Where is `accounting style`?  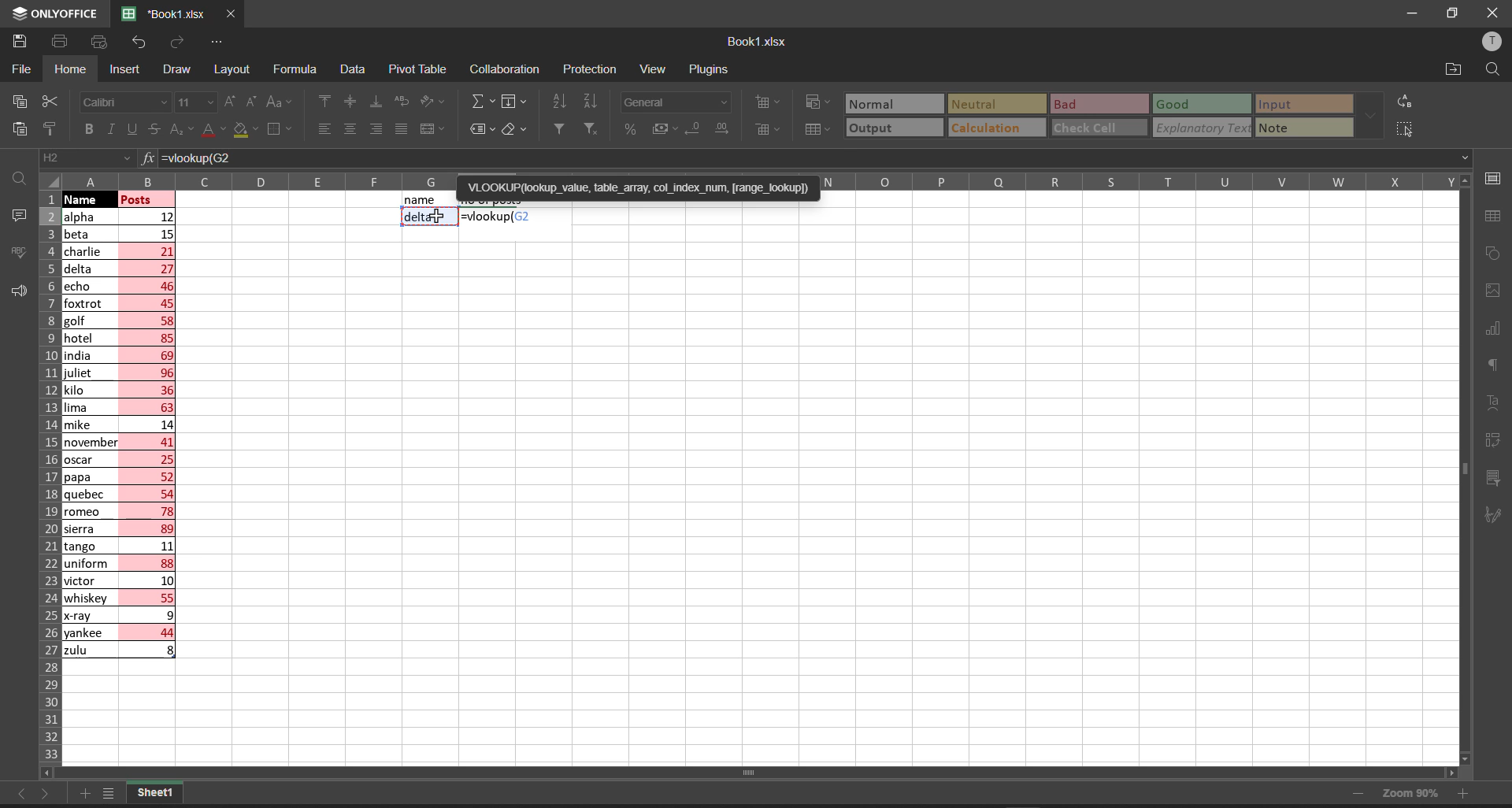
accounting style is located at coordinates (658, 128).